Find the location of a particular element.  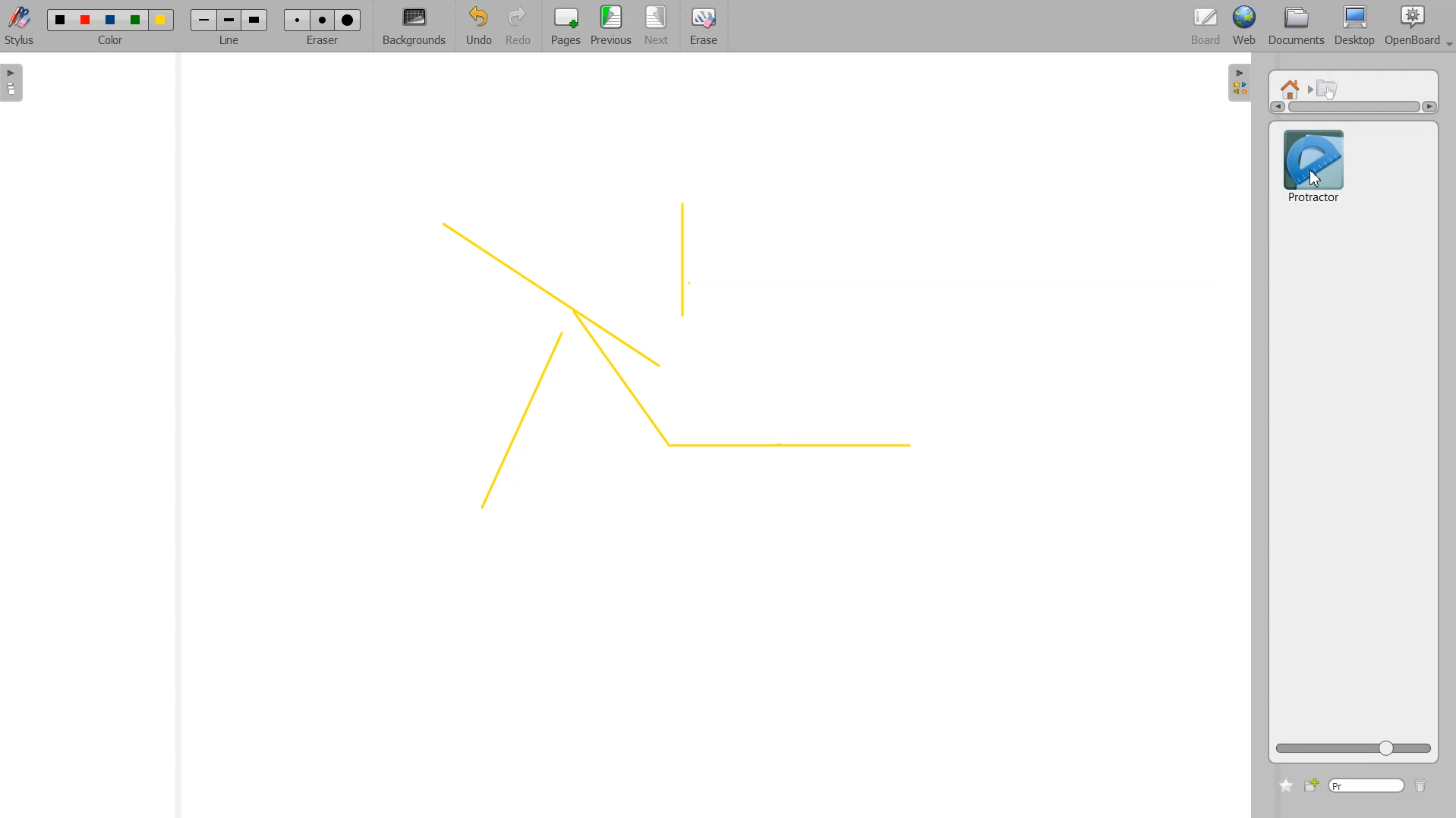

Redo is located at coordinates (518, 27).